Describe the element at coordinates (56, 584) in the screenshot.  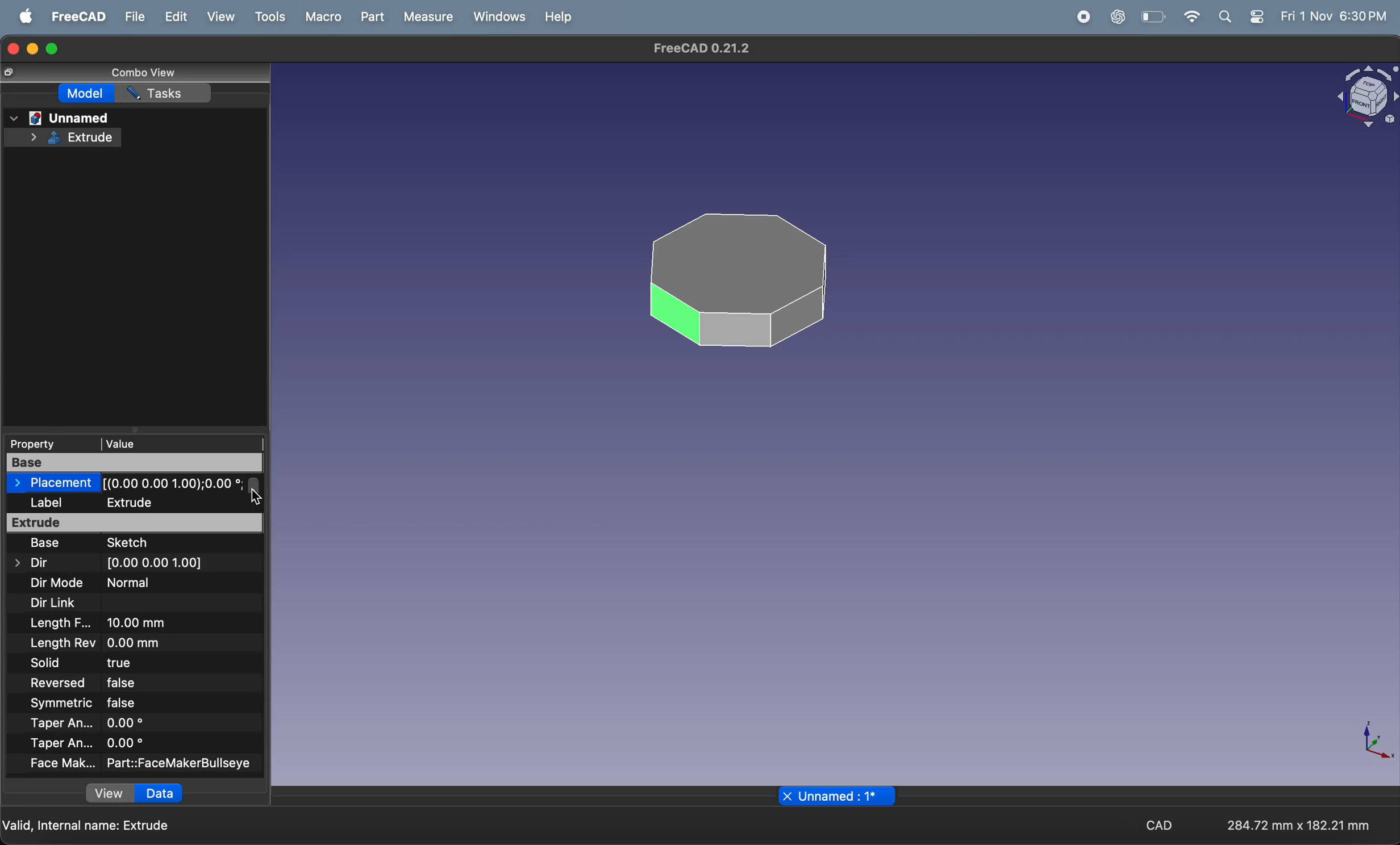
I see `dir mode` at that location.